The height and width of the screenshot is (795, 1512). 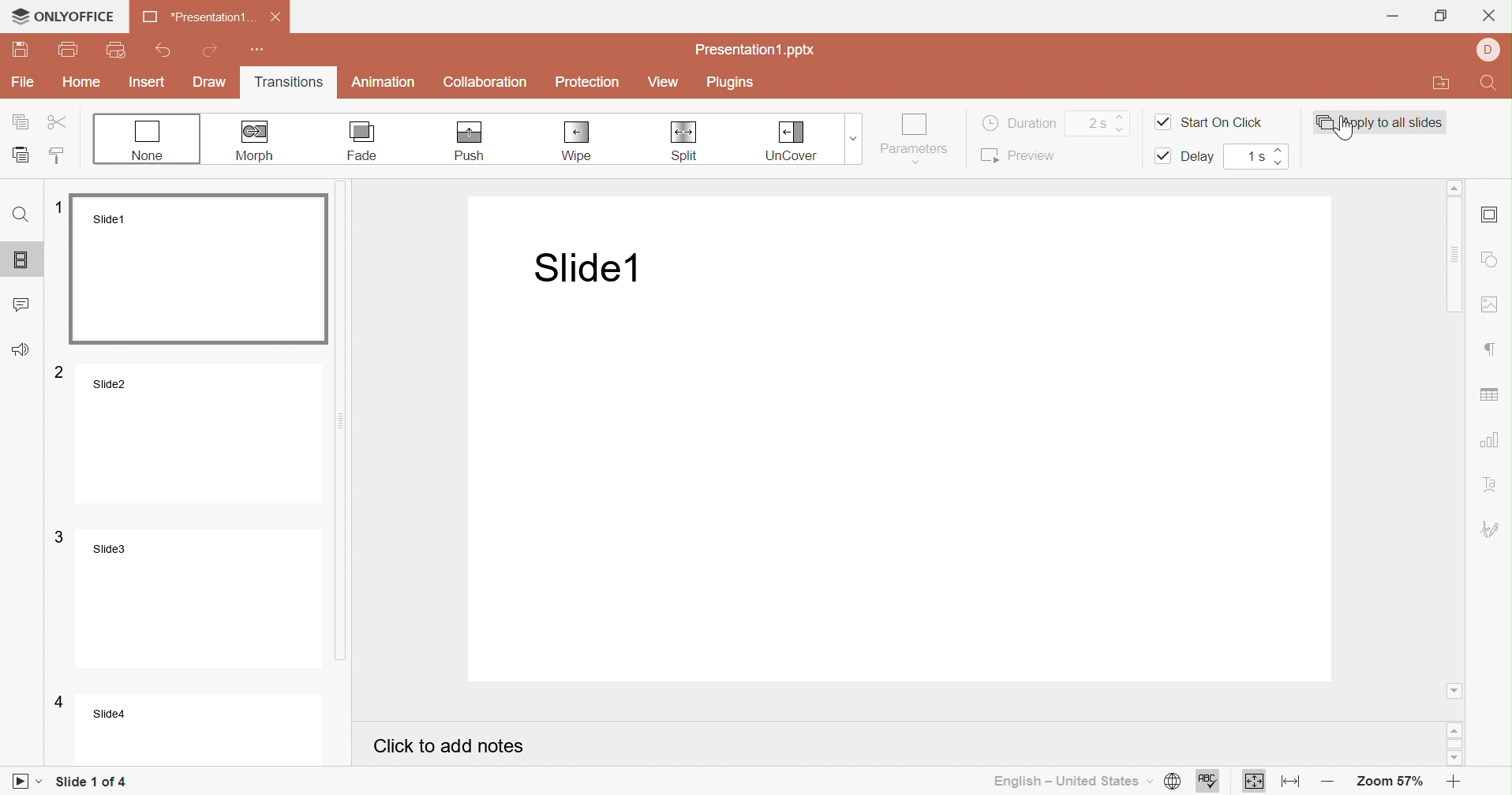 What do you see at coordinates (908, 480) in the screenshot?
I see `Presentation slide` at bounding box center [908, 480].